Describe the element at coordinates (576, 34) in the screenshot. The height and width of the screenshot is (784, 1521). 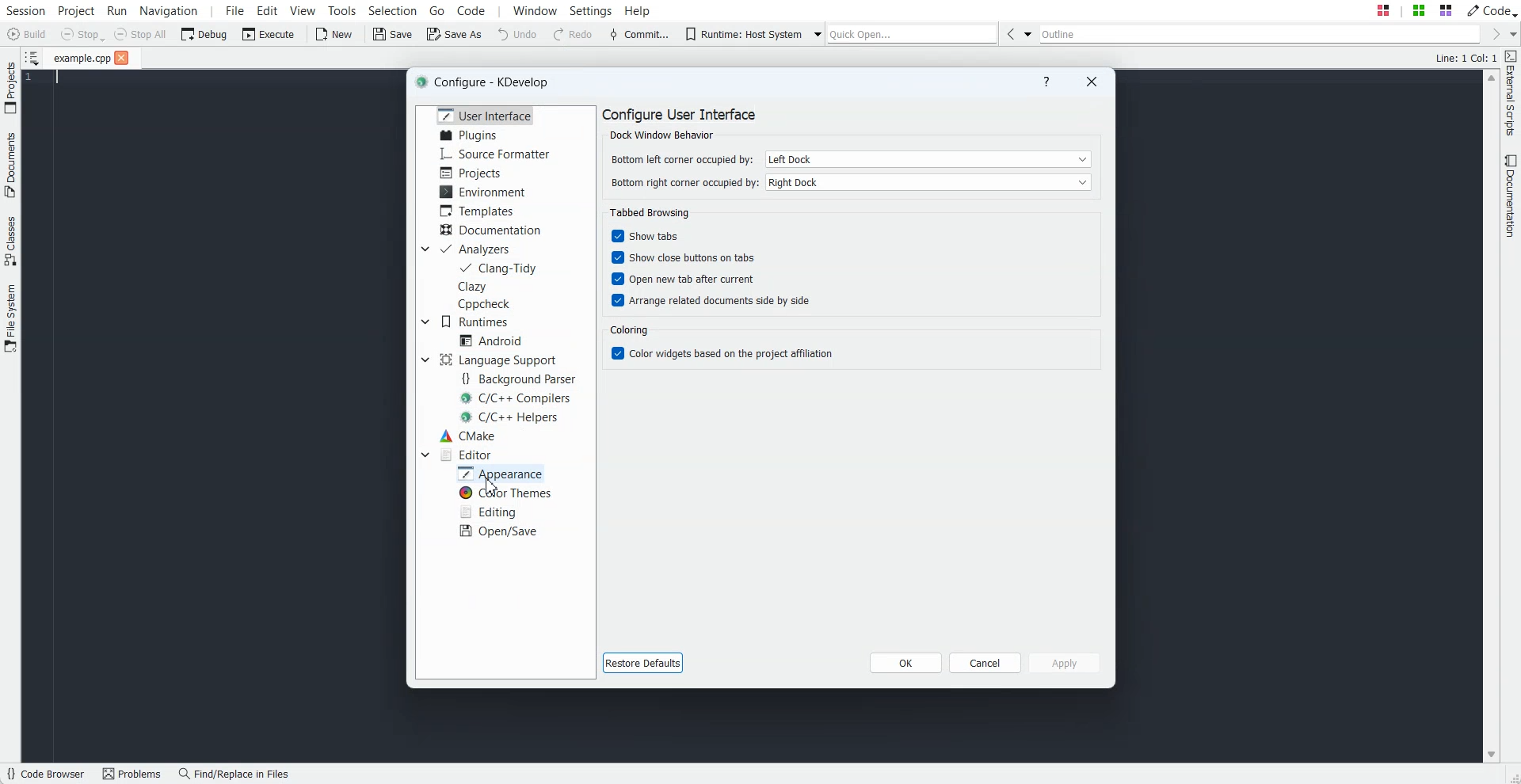
I see `Redo` at that location.